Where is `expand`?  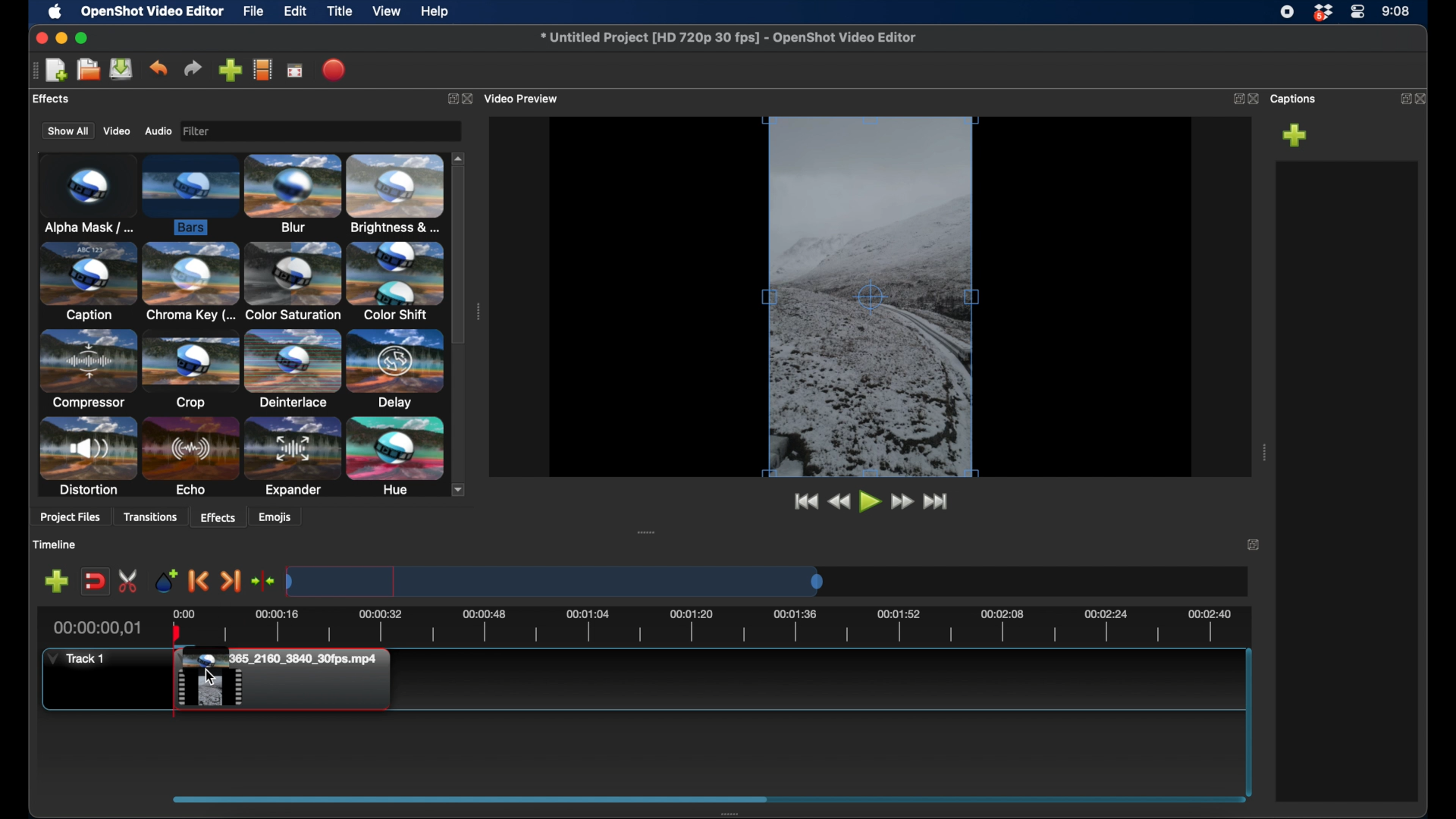 expand is located at coordinates (1254, 546).